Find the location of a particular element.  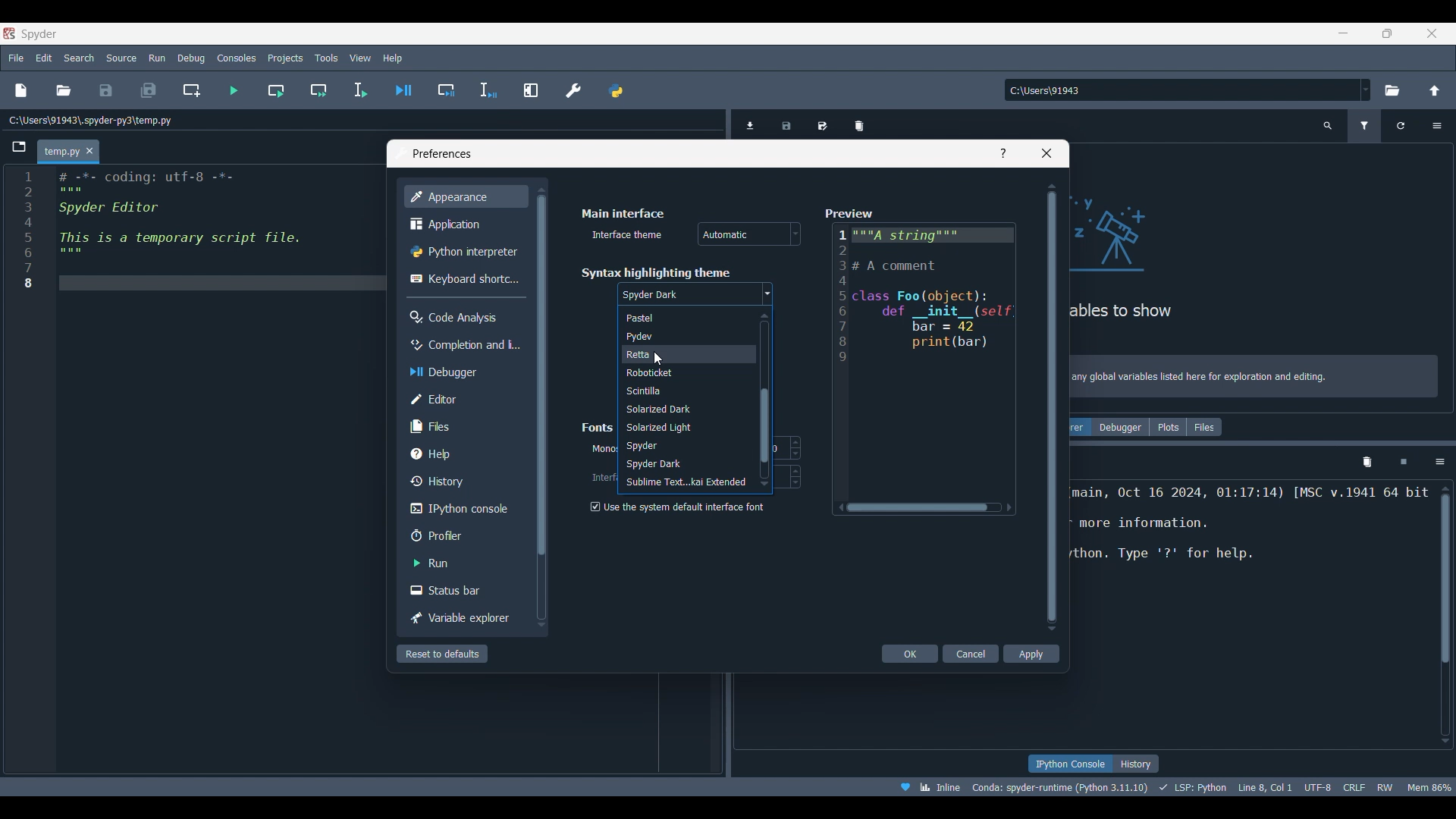

Run selection or current line is located at coordinates (359, 90).